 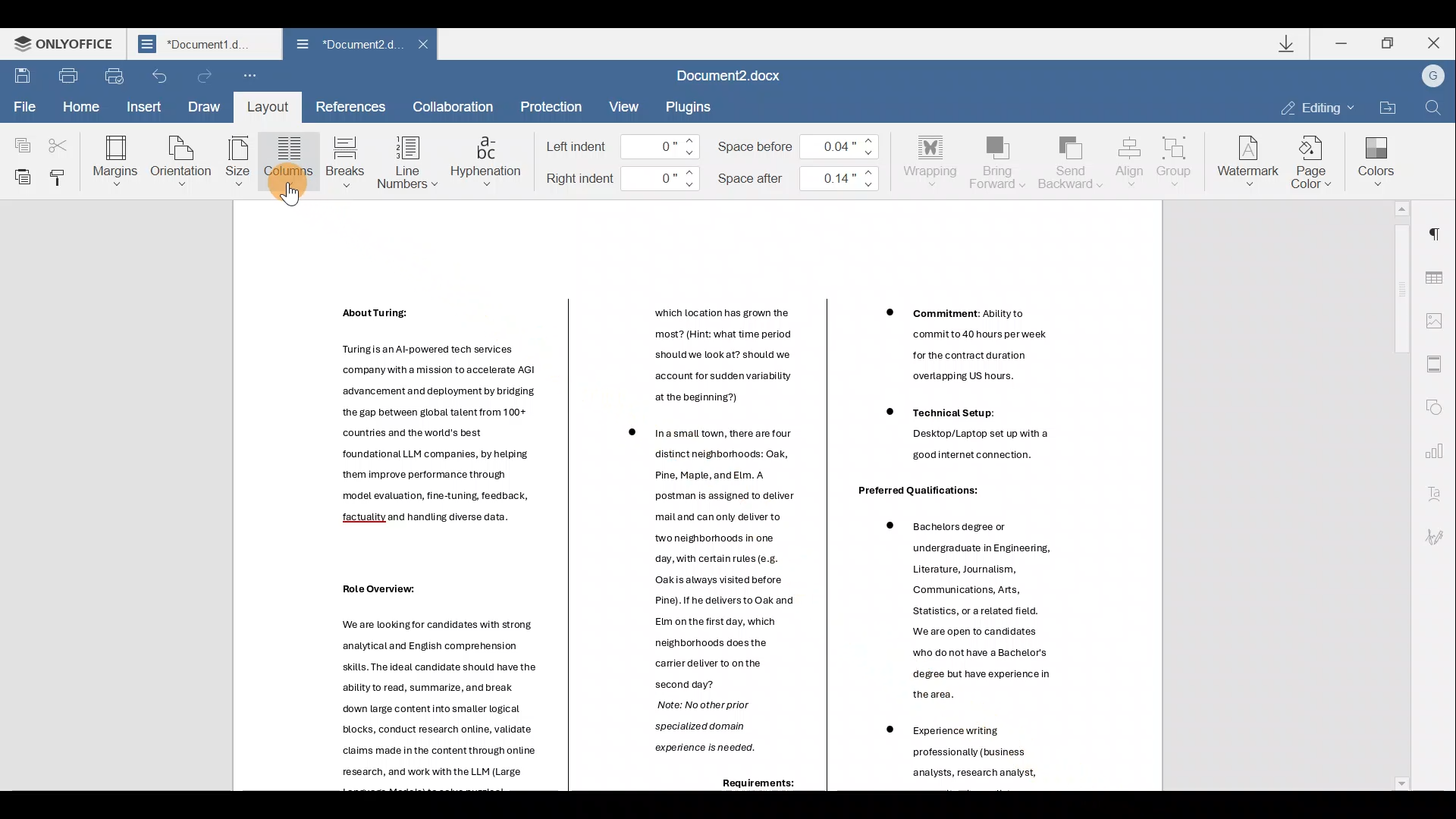 What do you see at coordinates (1441, 228) in the screenshot?
I see `Paragraph settings` at bounding box center [1441, 228].